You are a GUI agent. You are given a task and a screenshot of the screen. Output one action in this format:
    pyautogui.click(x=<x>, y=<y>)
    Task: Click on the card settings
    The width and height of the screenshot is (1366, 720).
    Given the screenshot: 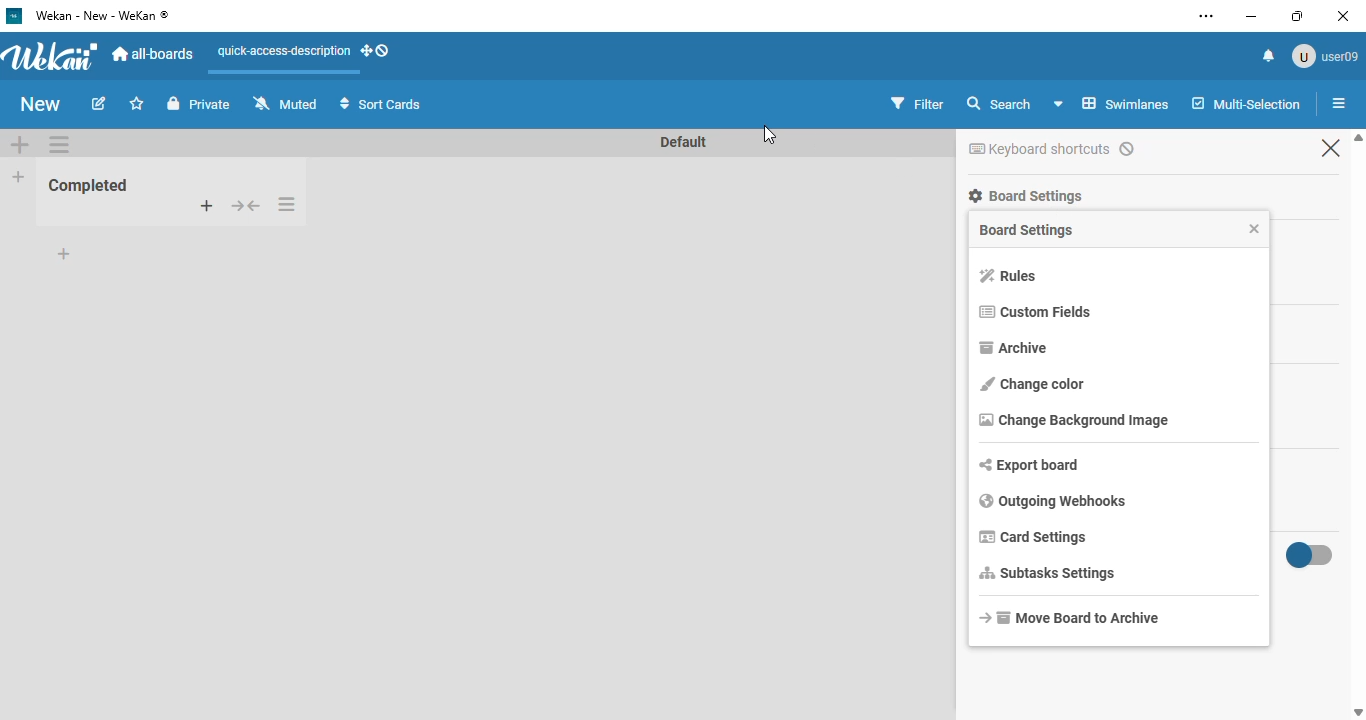 What is the action you would take?
    pyautogui.click(x=1033, y=537)
    